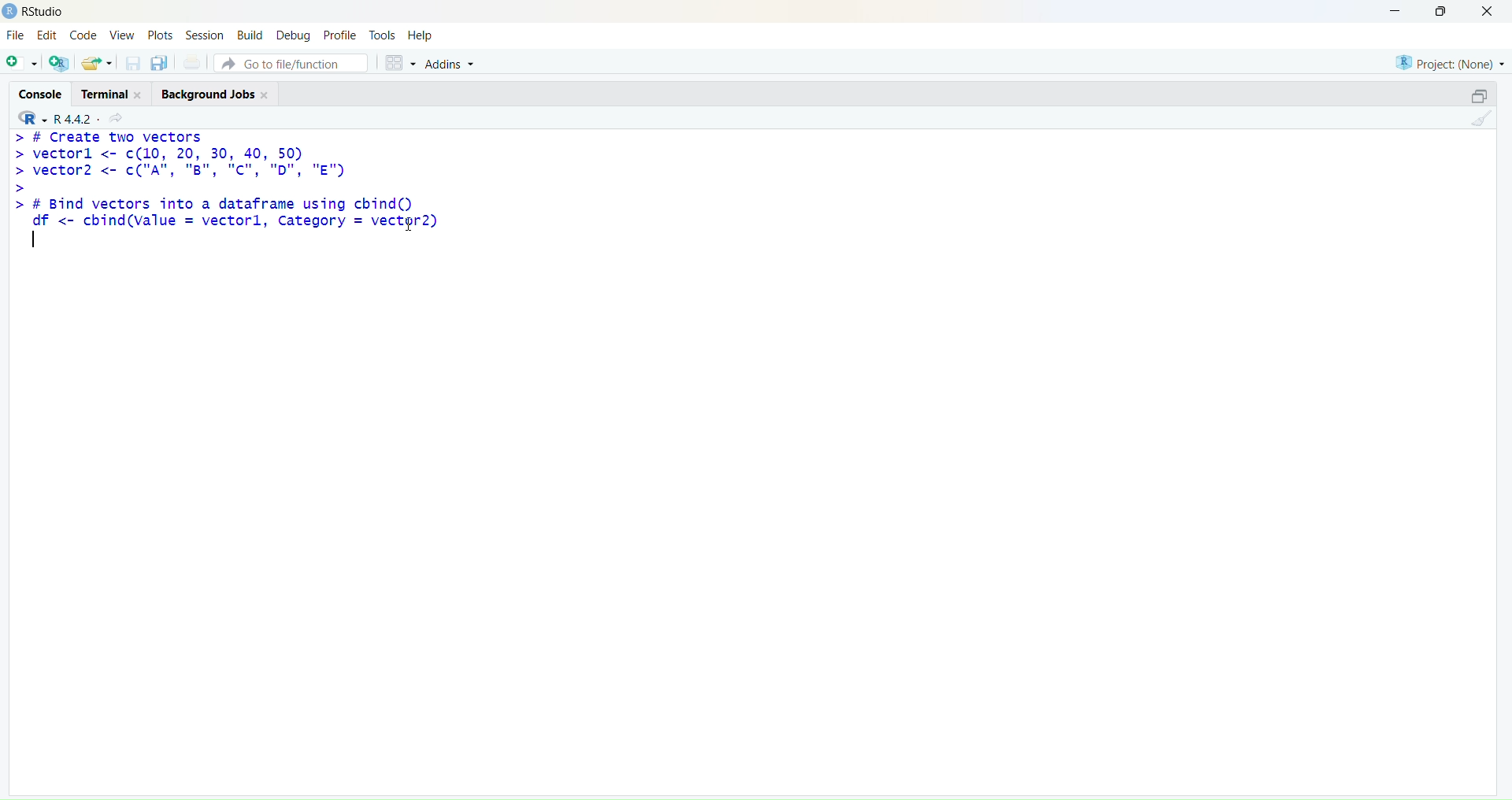 The width and height of the screenshot is (1512, 800). What do you see at coordinates (97, 64) in the screenshot?
I see `open existing document` at bounding box center [97, 64].